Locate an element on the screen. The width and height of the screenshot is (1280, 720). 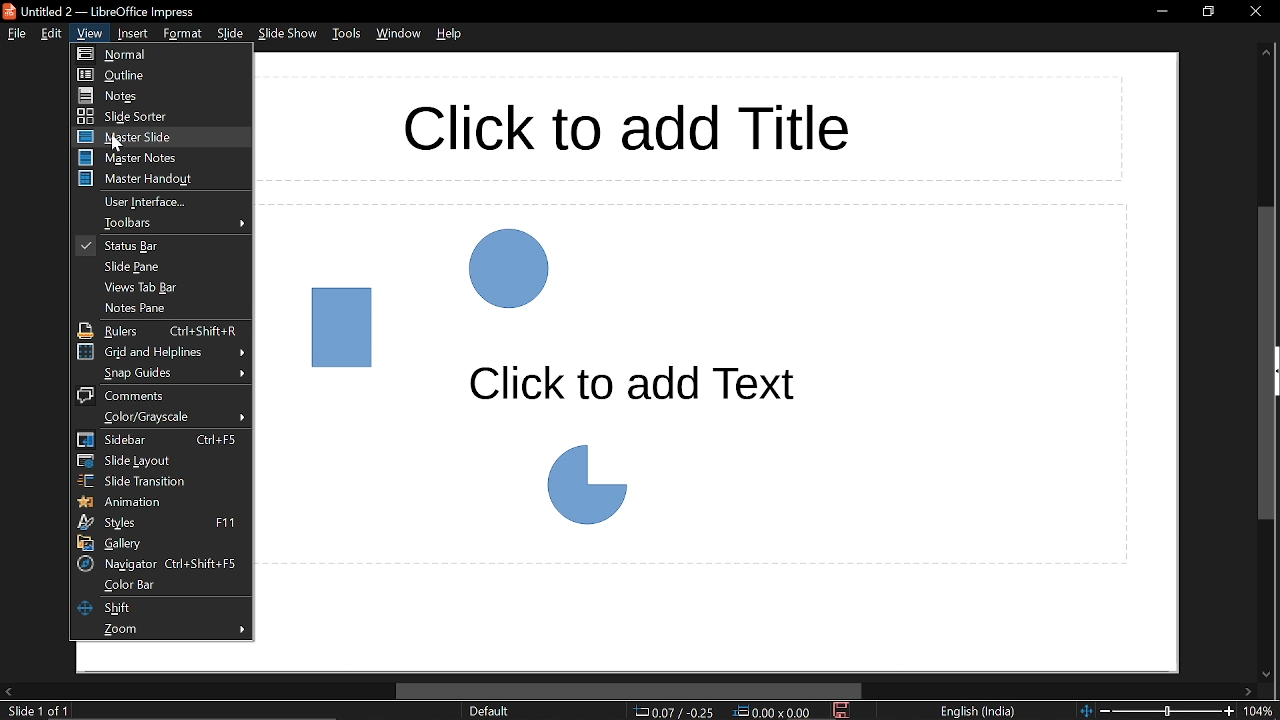
Color/Grayscale is located at coordinates (158, 417).